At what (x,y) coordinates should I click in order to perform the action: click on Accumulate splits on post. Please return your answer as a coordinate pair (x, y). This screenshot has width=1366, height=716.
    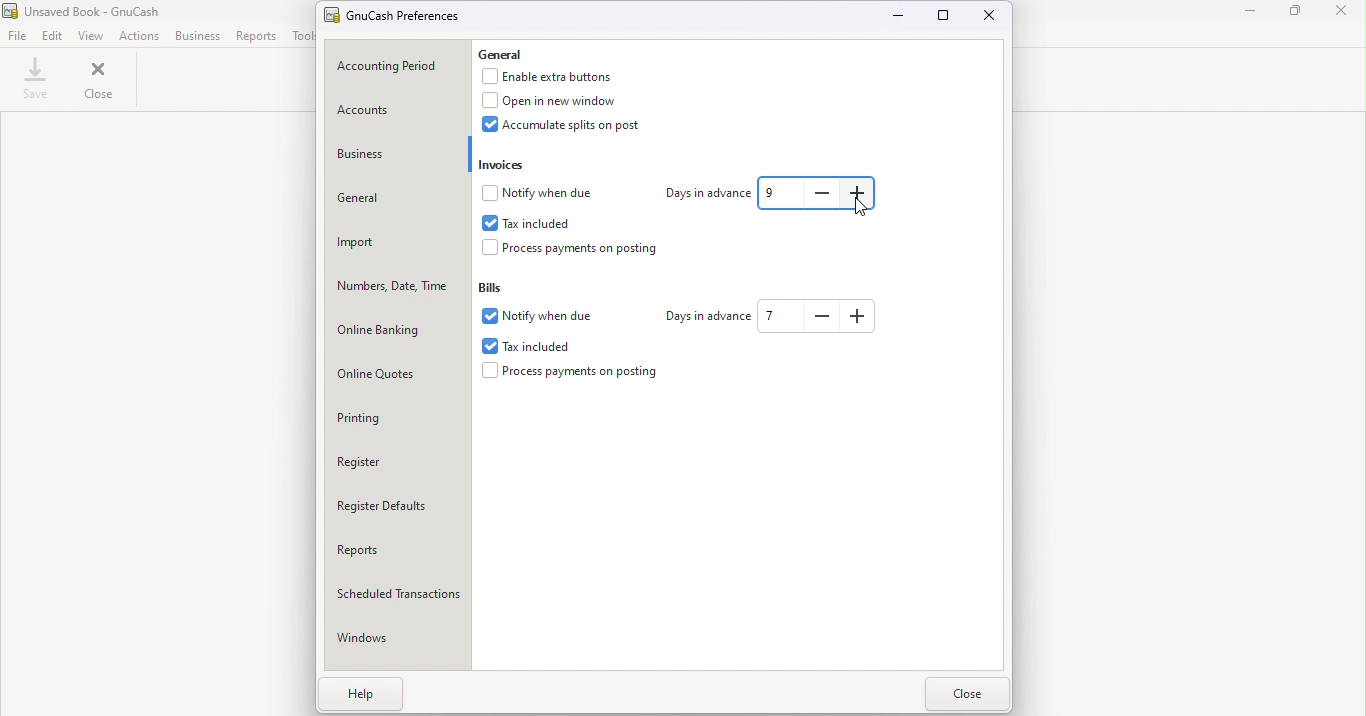
    Looking at the image, I should click on (577, 129).